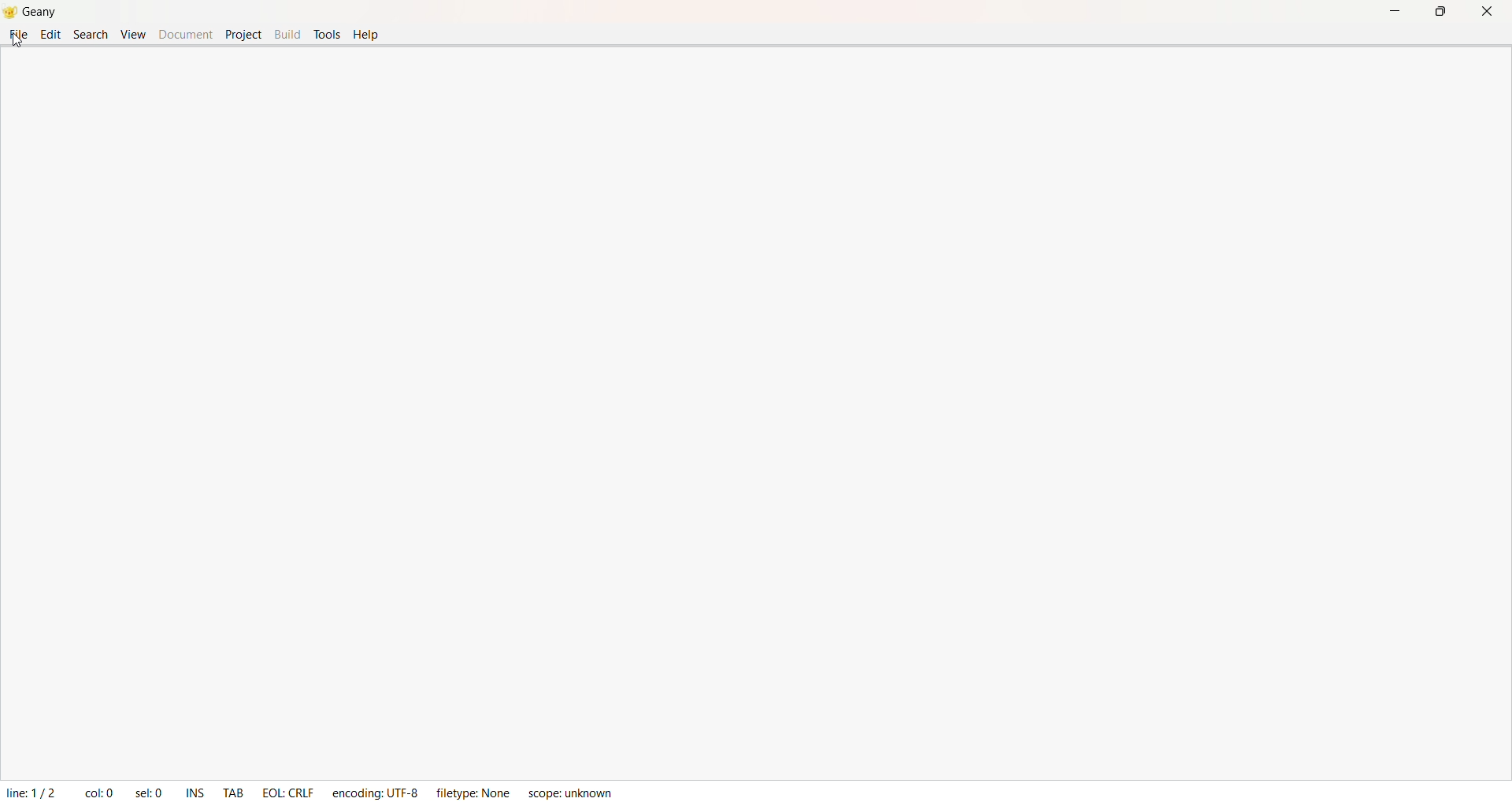  What do you see at coordinates (17, 34) in the screenshot?
I see `File` at bounding box center [17, 34].